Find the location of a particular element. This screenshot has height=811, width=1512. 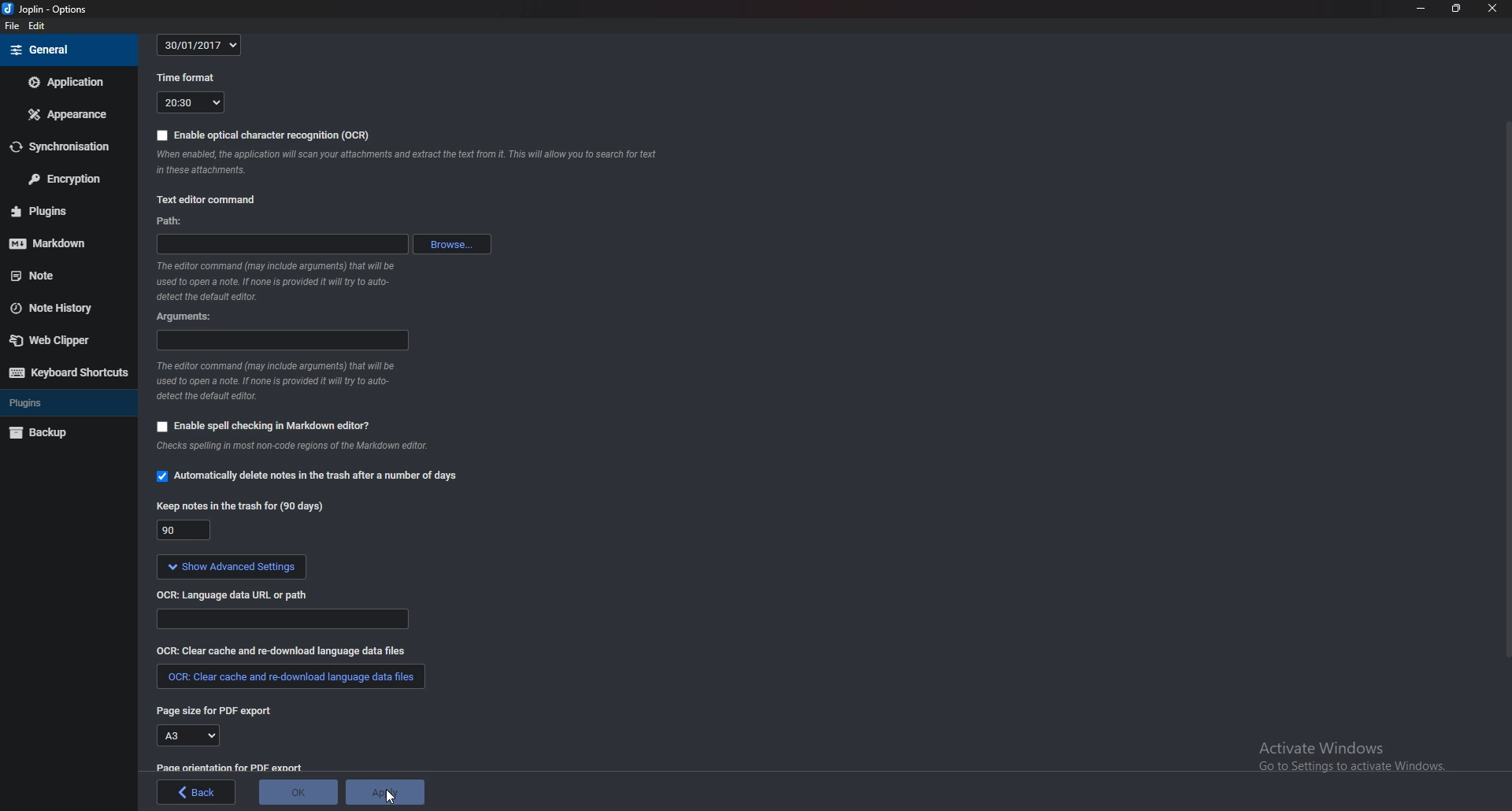

Application is located at coordinates (67, 83).